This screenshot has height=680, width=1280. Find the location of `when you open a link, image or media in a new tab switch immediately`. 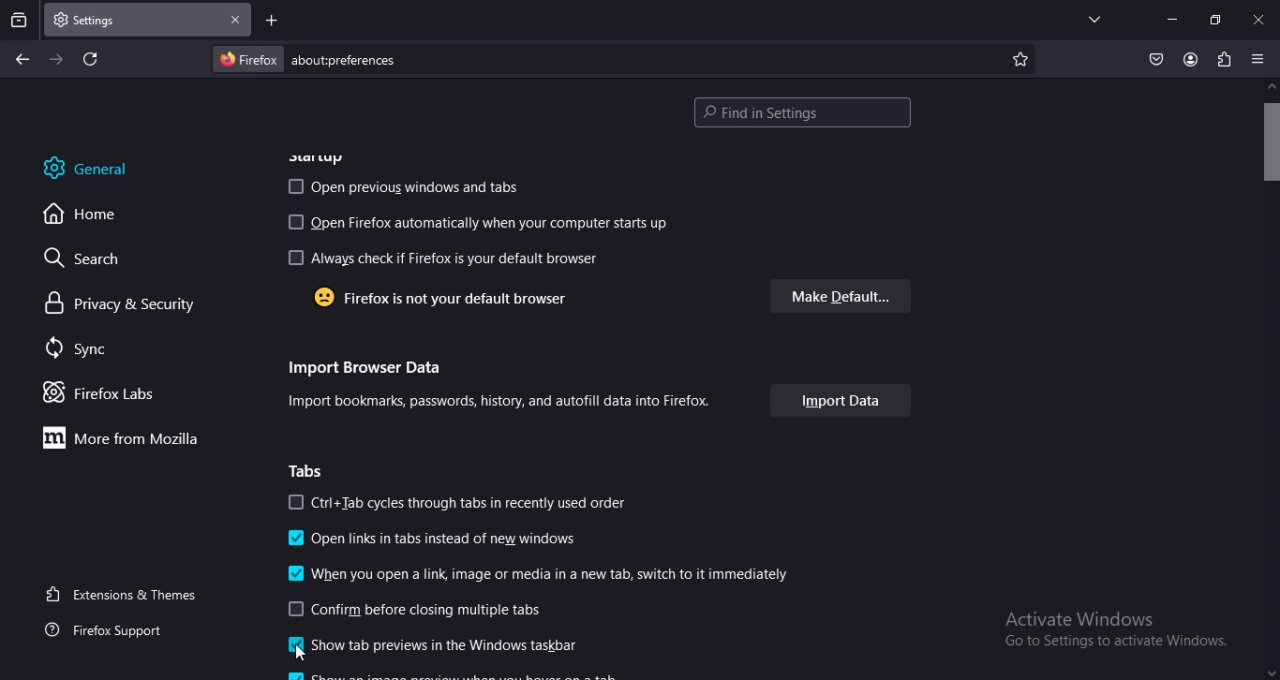

when you open a link, image or media in a new tab switch immediately is located at coordinates (532, 574).